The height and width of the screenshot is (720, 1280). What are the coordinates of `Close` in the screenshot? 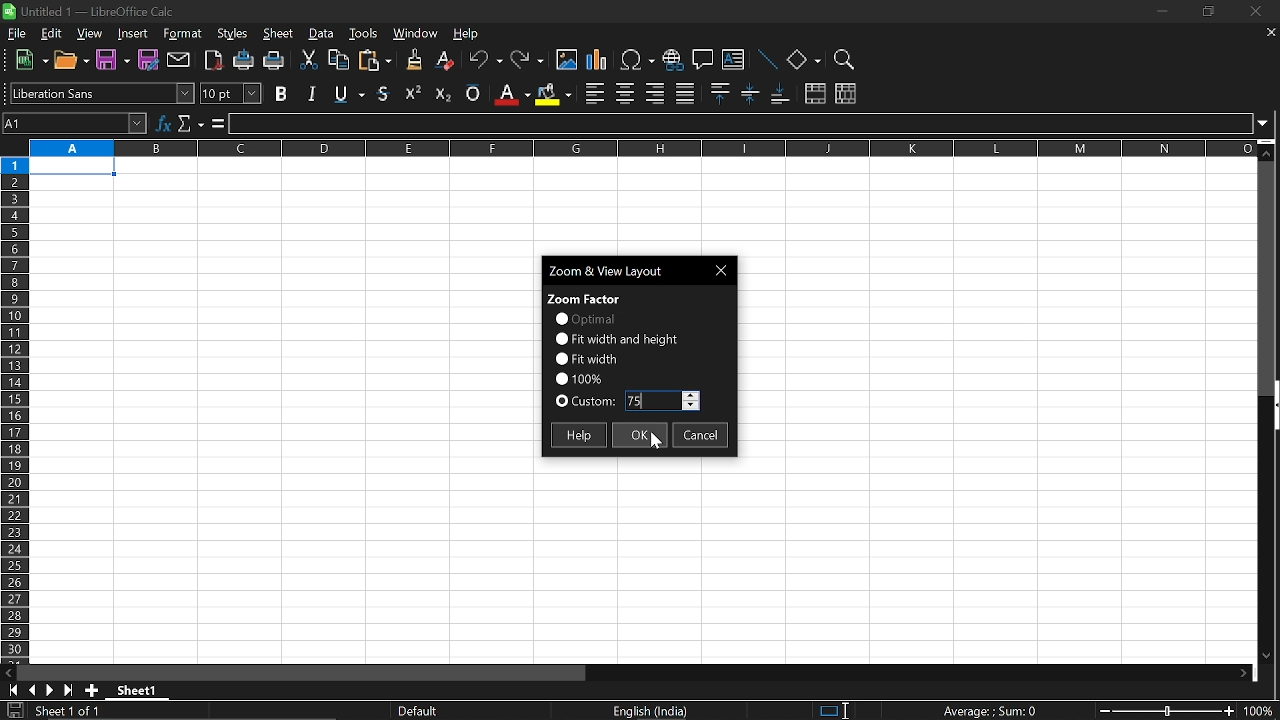 It's located at (724, 270).